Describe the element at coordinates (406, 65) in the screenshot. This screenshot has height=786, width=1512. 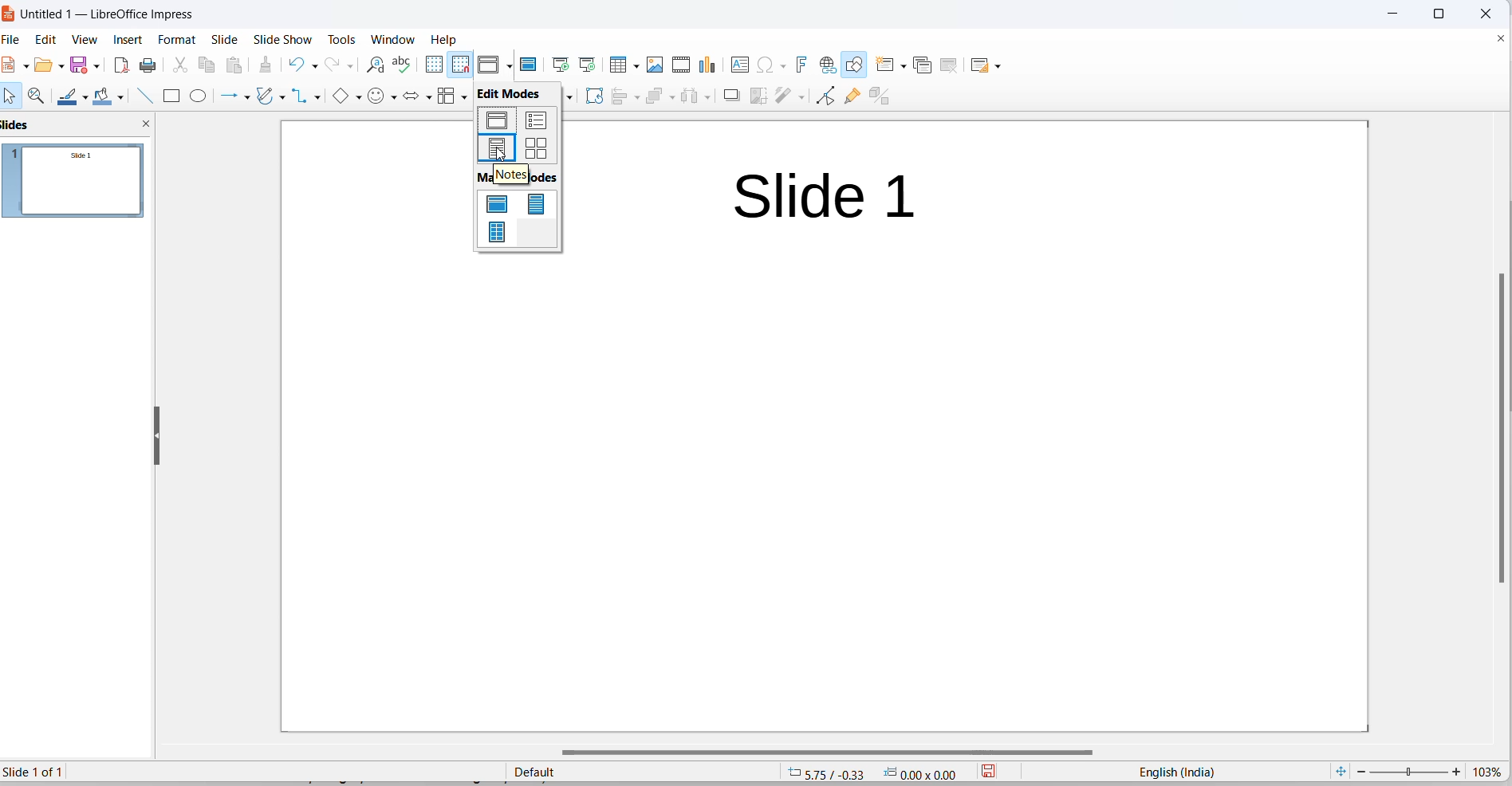
I see `spellings ` at that location.